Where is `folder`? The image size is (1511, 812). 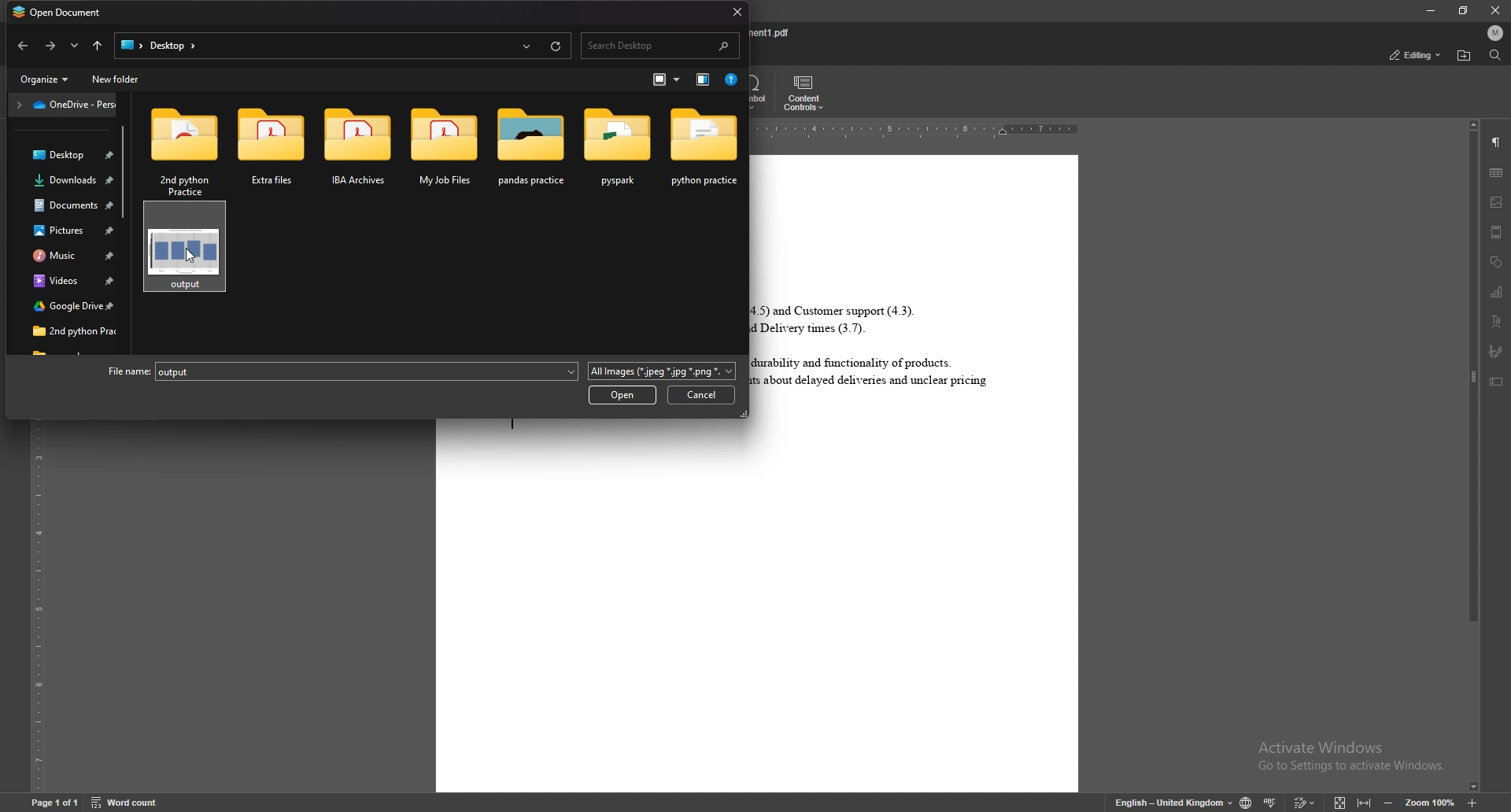 folder is located at coordinates (61, 156).